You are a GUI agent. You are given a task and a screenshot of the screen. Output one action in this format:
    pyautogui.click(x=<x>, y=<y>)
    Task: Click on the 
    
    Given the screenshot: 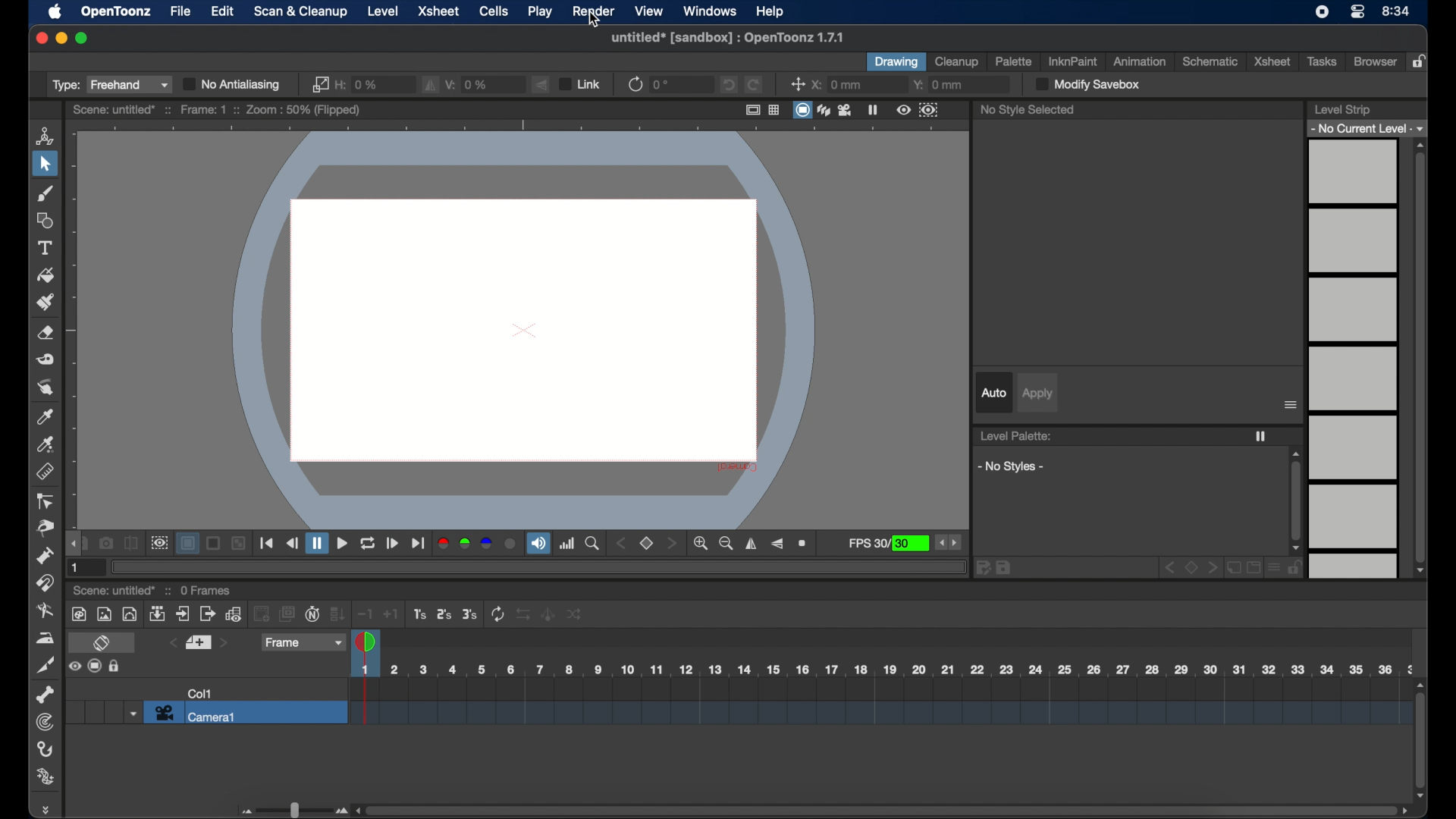 What is the action you would take?
    pyautogui.click(x=983, y=568)
    